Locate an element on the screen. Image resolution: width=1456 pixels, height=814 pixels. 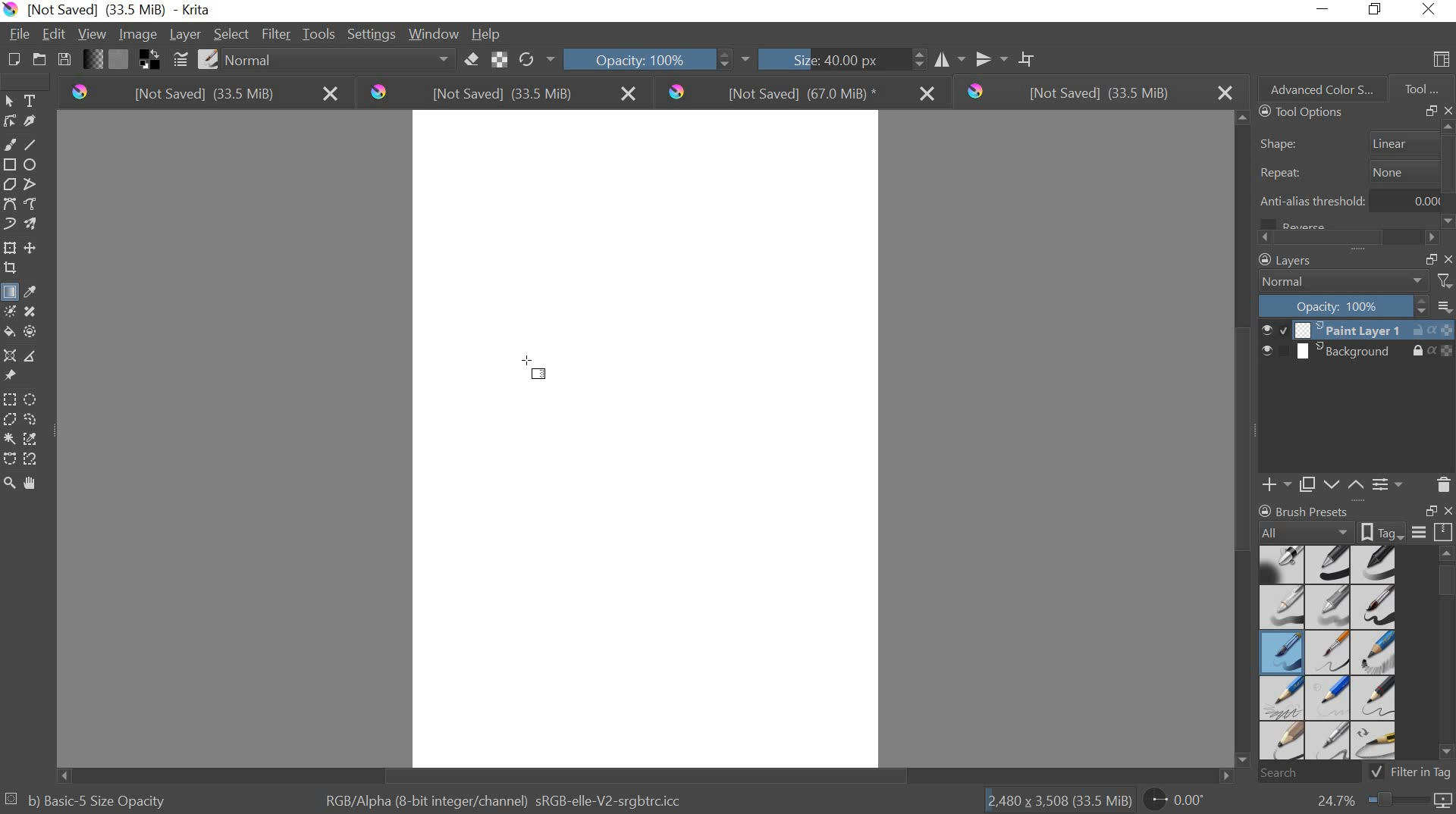
SCROLLBAR is located at coordinates (1447, 658).